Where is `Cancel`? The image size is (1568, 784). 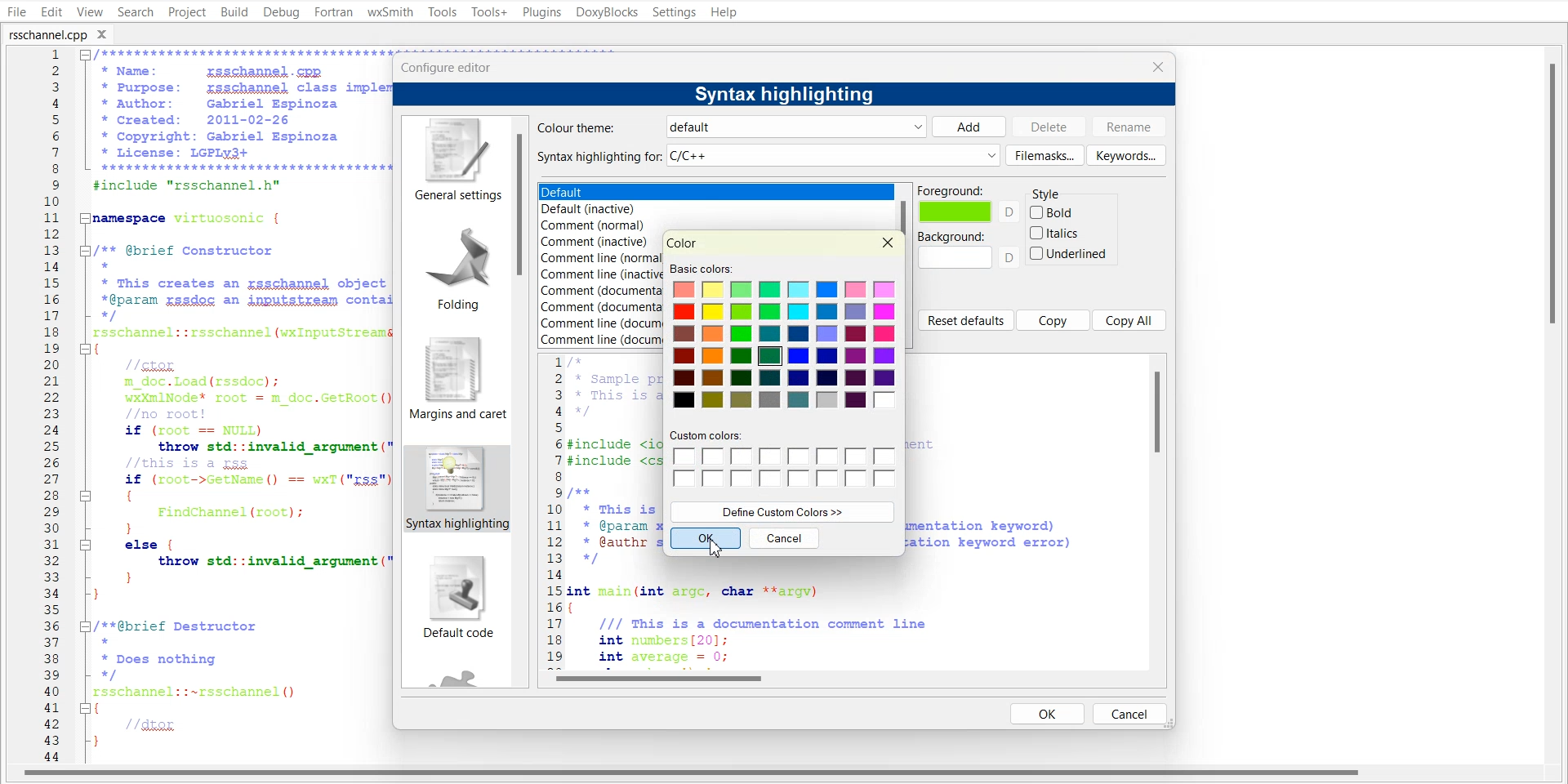
Cancel is located at coordinates (1129, 713).